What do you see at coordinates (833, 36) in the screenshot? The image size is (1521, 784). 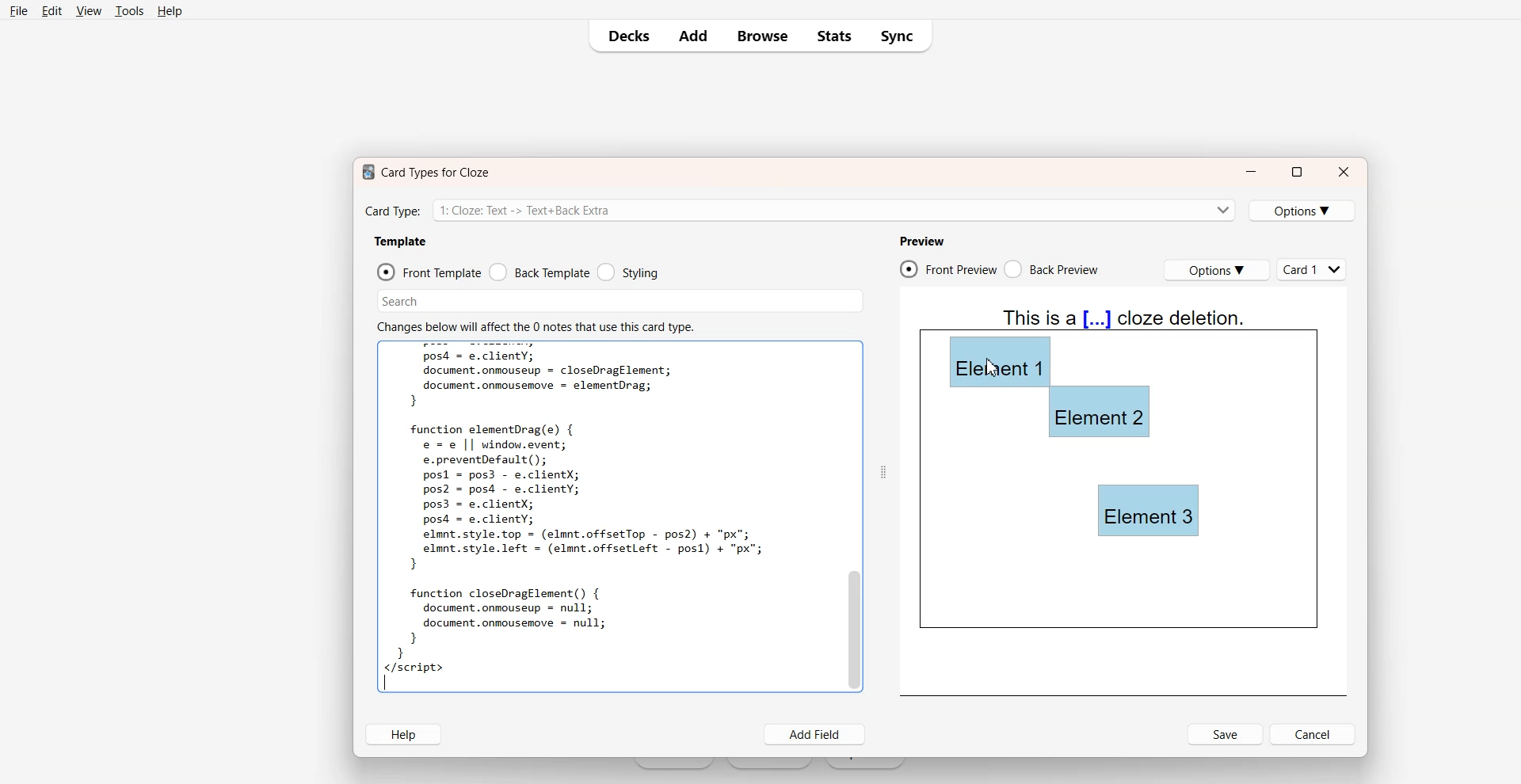 I see `Stats` at bounding box center [833, 36].